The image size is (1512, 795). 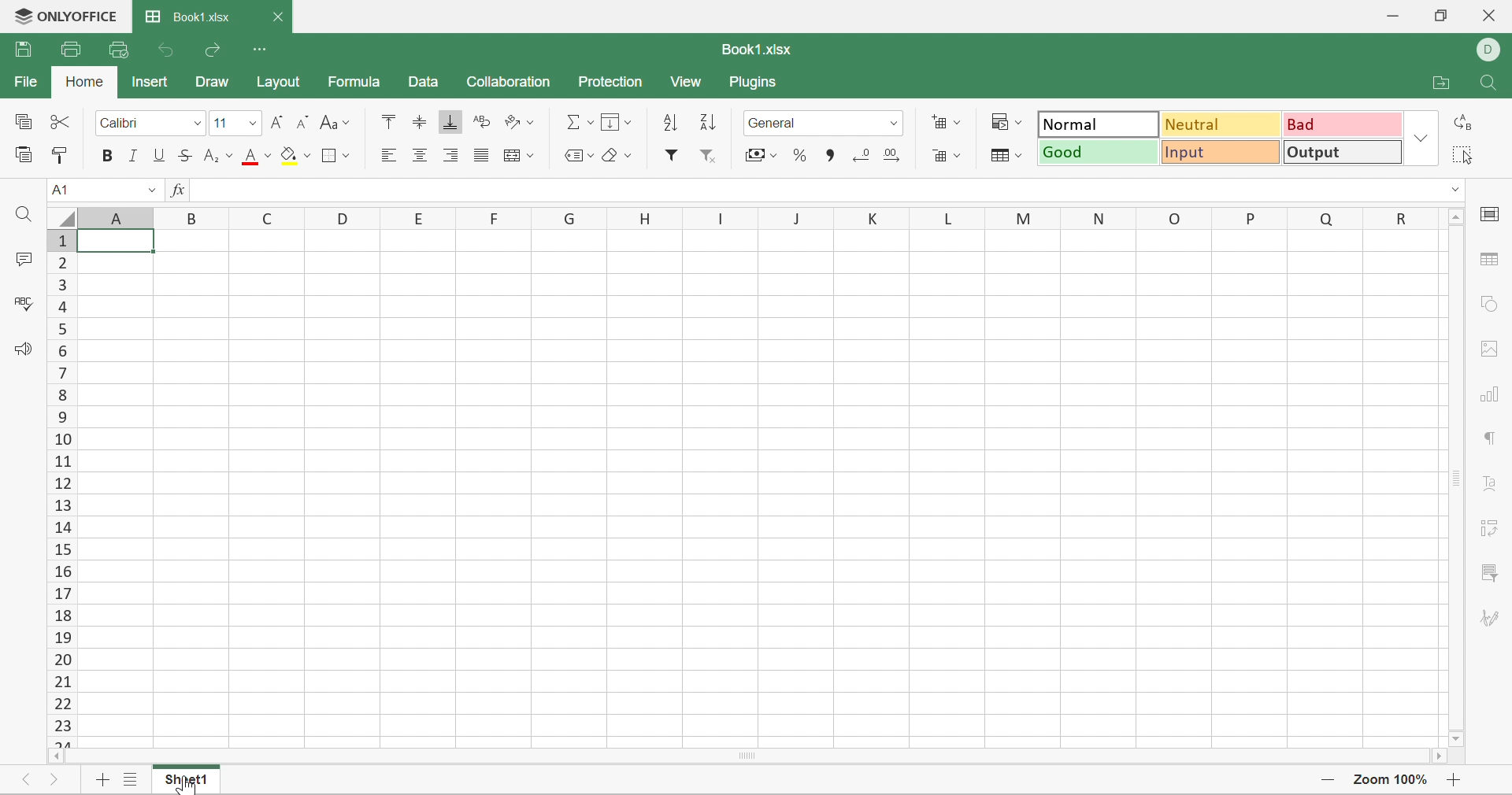 What do you see at coordinates (65, 14) in the screenshot?
I see `ONLYOFFICE` at bounding box center [65, 14].